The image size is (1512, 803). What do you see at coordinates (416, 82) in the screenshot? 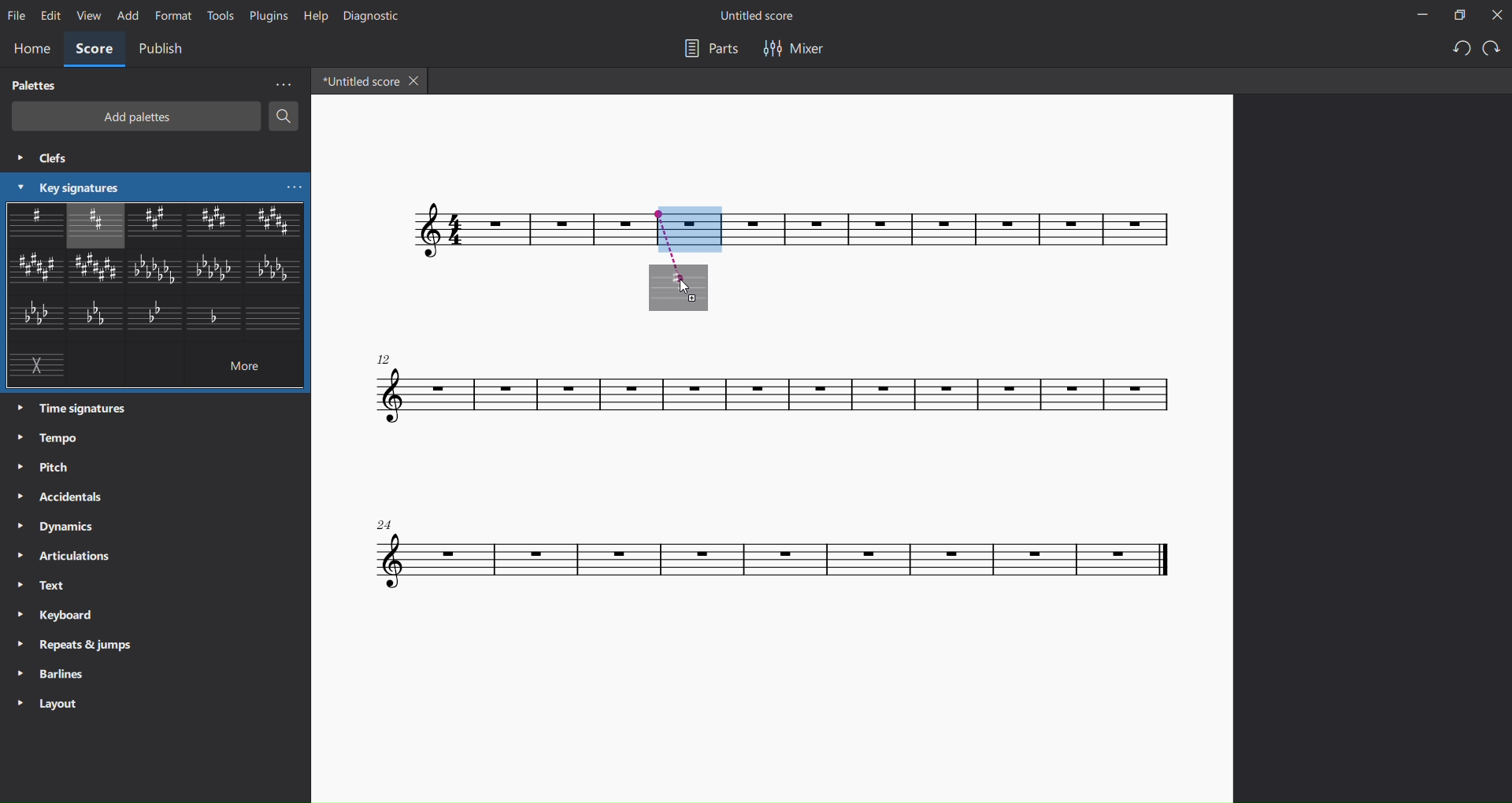
I see `close tab` at bounding box center [416, 82].